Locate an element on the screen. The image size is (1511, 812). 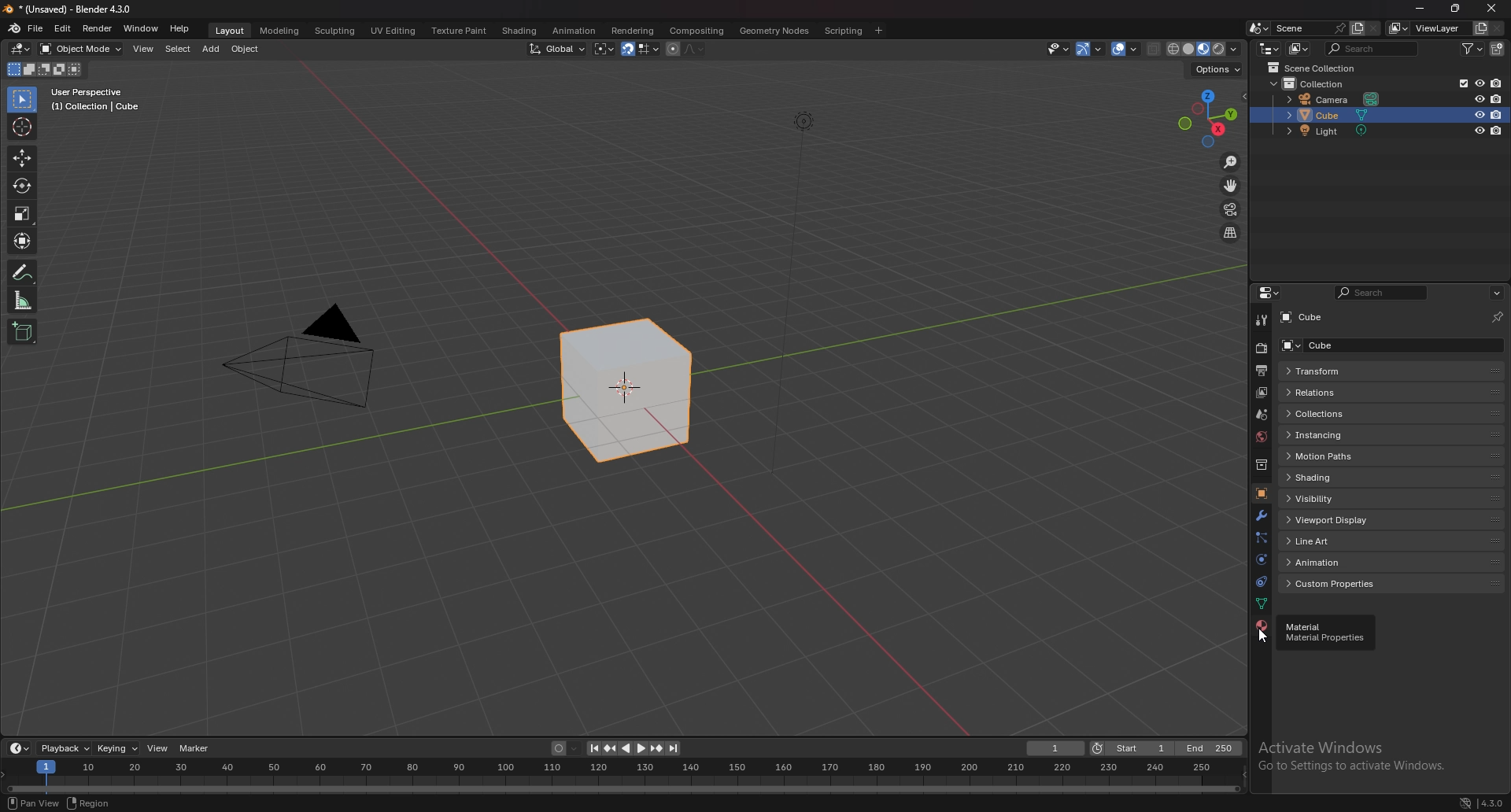
remove view layer is located at coordinates (1498, 29).